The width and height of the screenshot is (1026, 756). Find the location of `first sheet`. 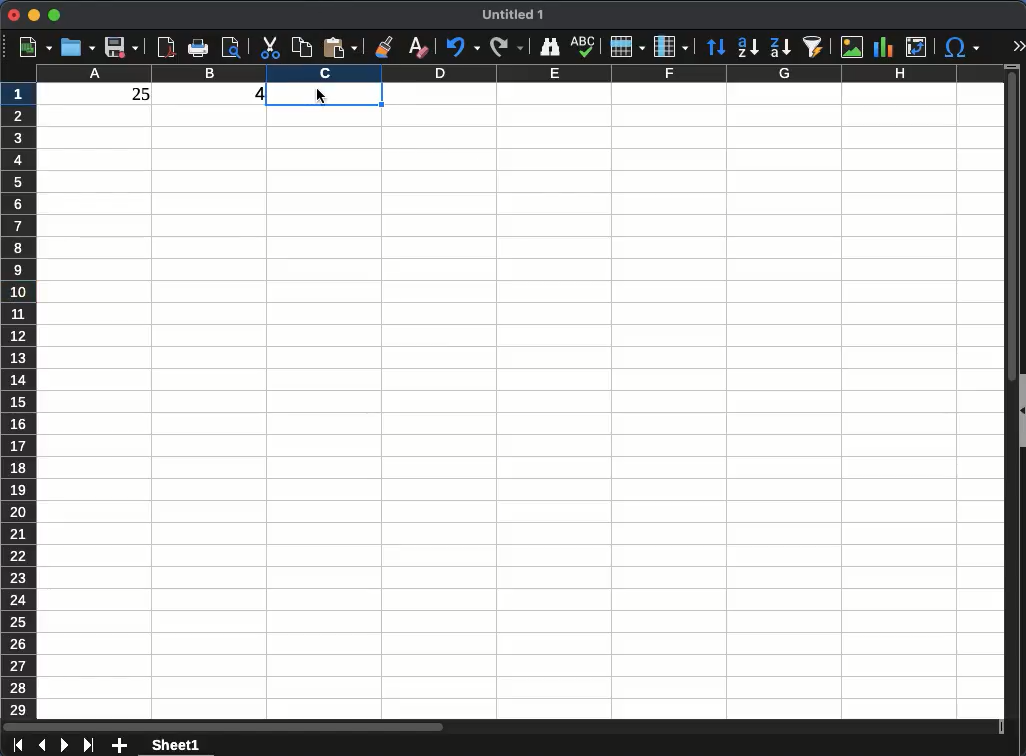

first sheet is located at coordinates (19, 745).